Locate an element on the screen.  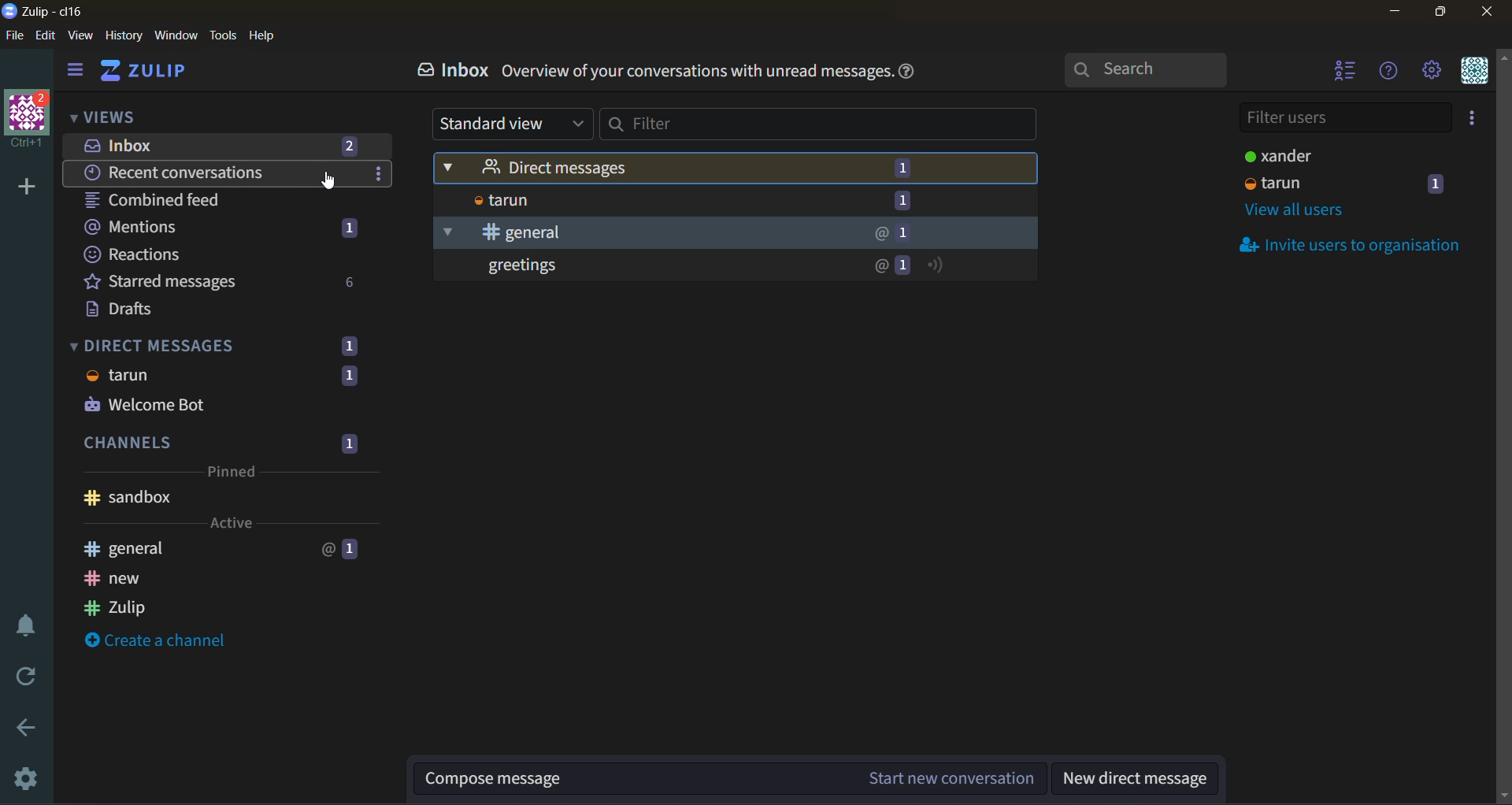
text is located at coordinates (695, 72).